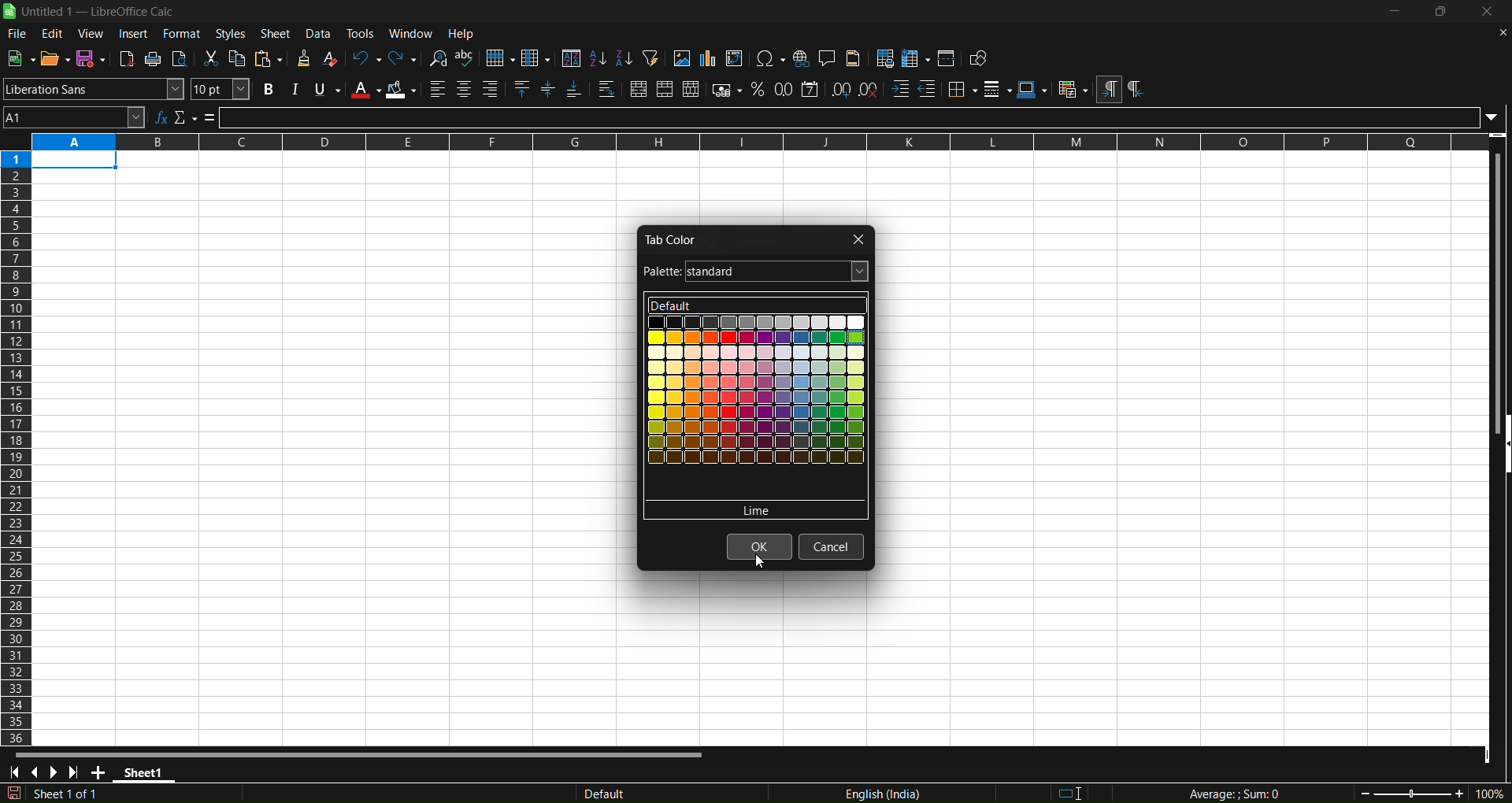 This screenshot has width=1512, height=803. What do you see at coordinates (680, 58) in the screenshot?
I see `insert image` at bounding box center [680, 58].